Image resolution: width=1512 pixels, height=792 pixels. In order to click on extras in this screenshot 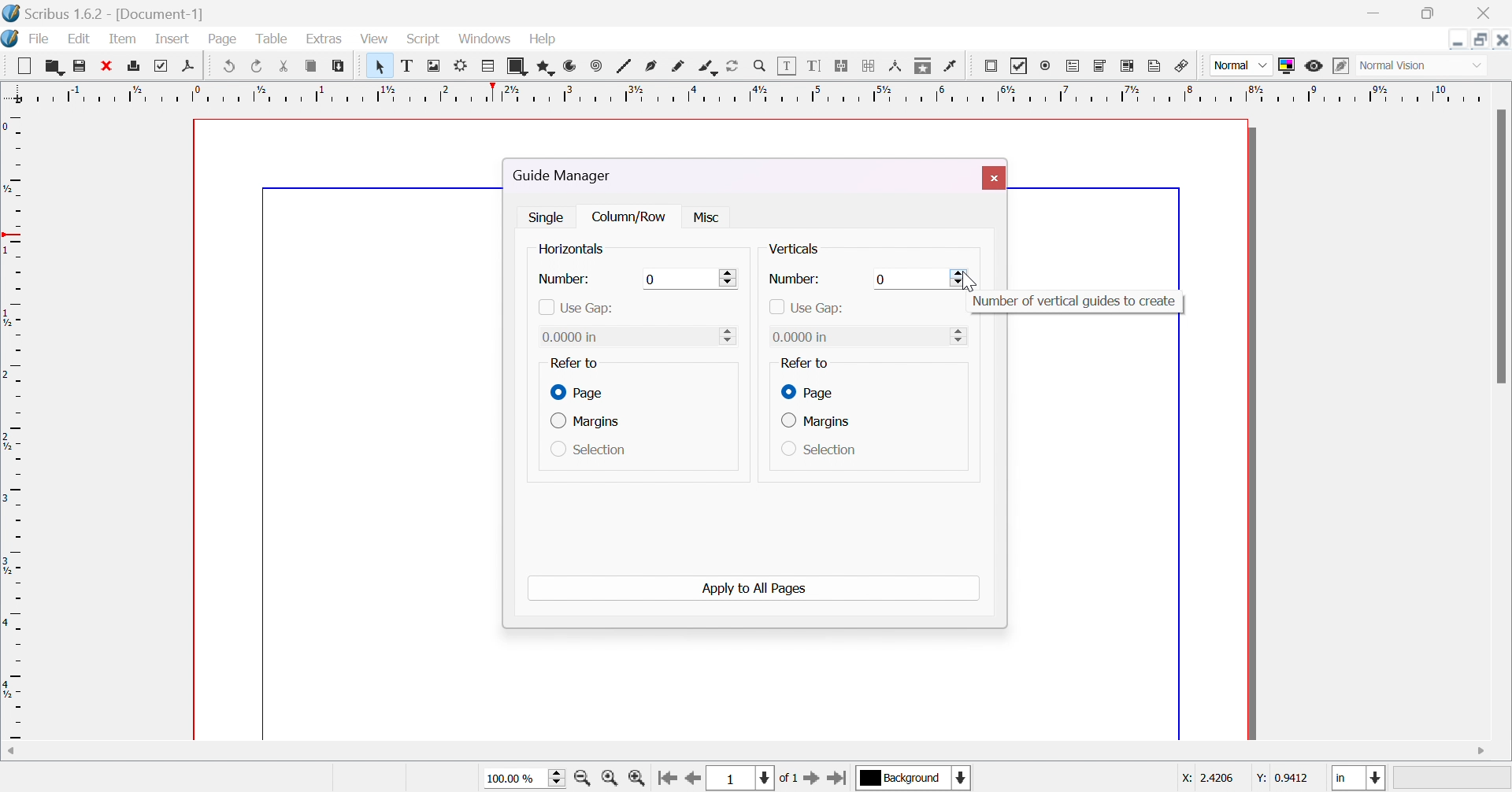, I will do `click(330, 39)`.